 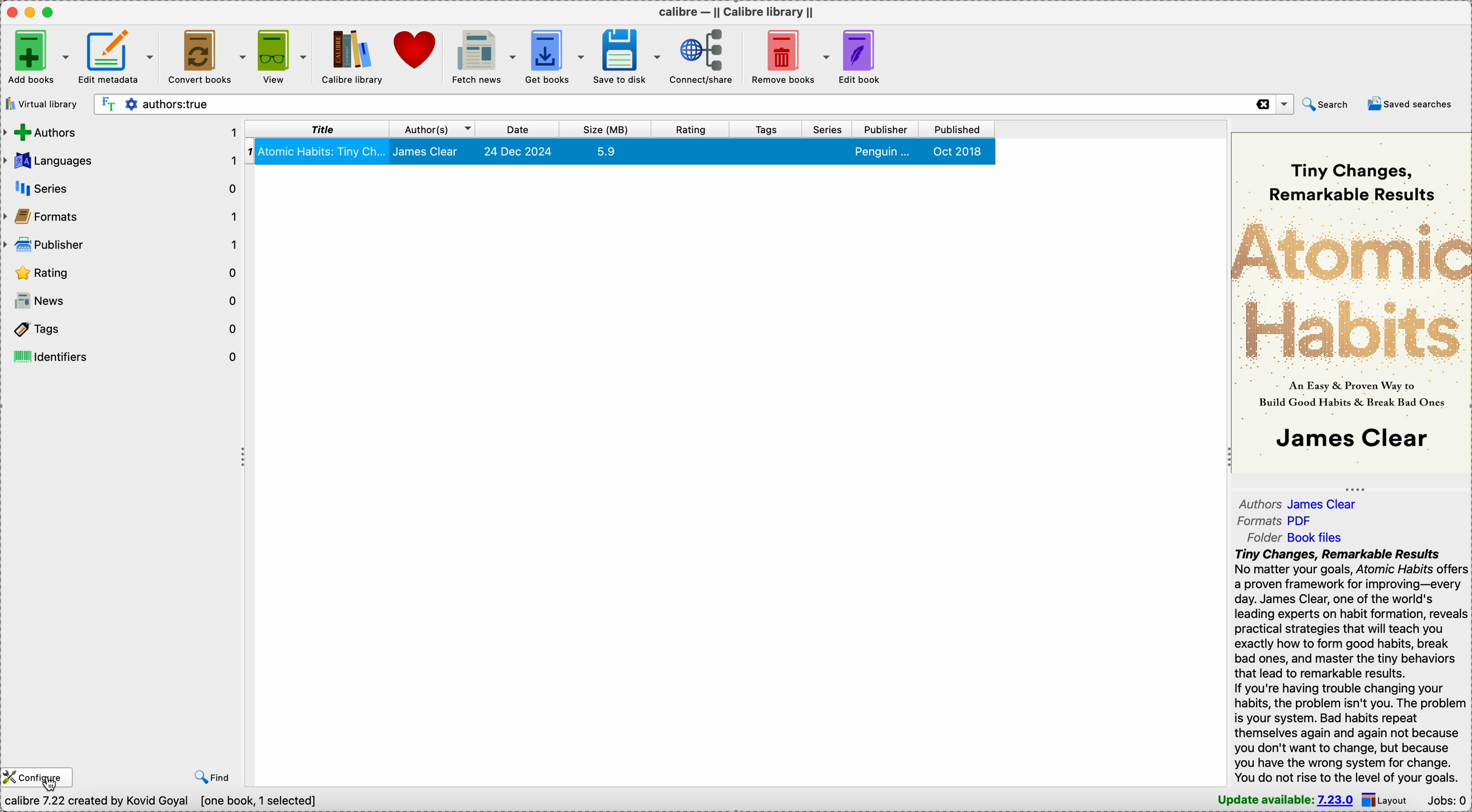 What do you see at coordinates (1385, 800) in the screenshot?
I see `layout` at bounding box center [1385, 800].